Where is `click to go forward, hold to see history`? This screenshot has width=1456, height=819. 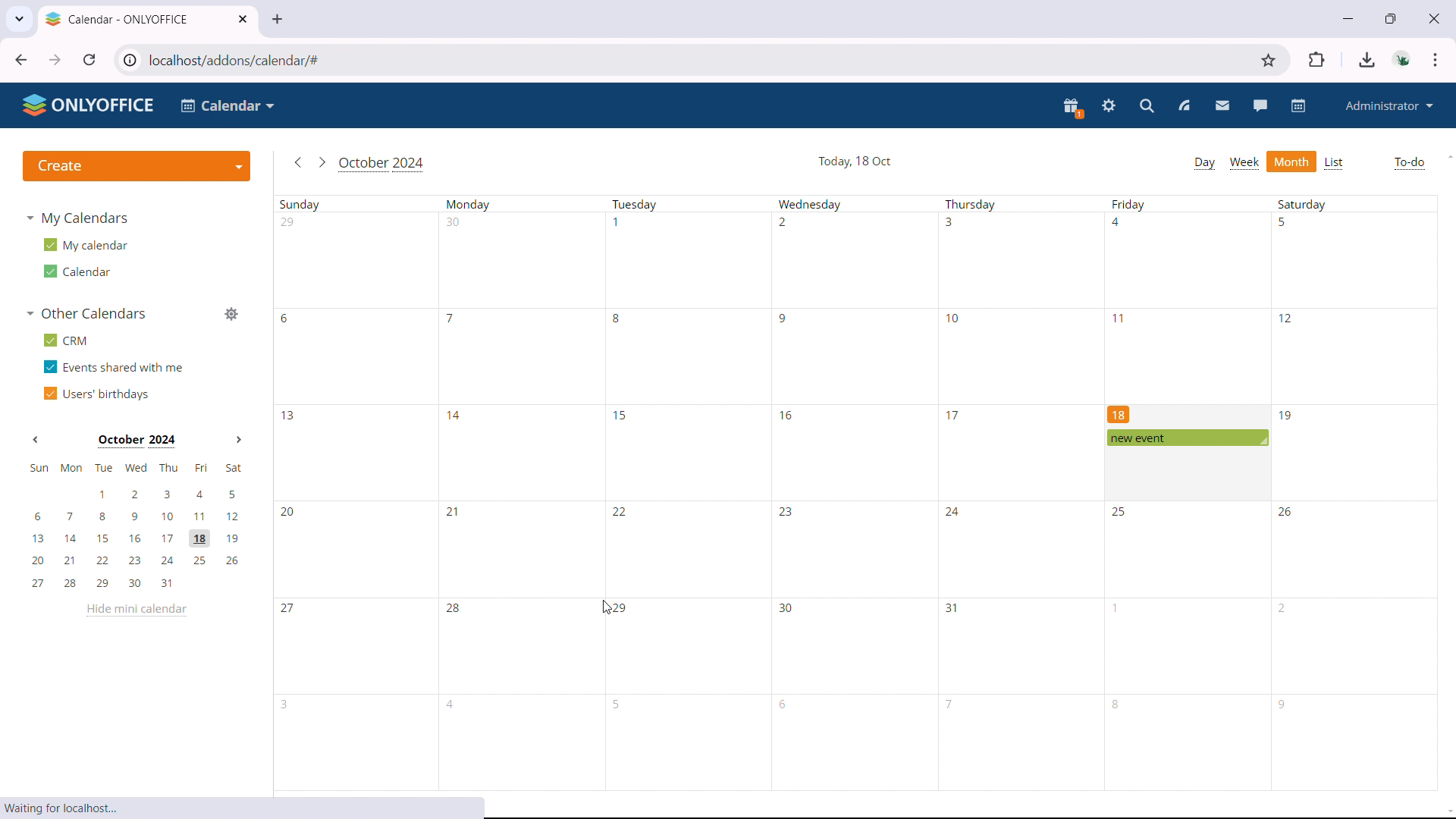
click to go forward, hold to see history is located at coordinates (55, 60).